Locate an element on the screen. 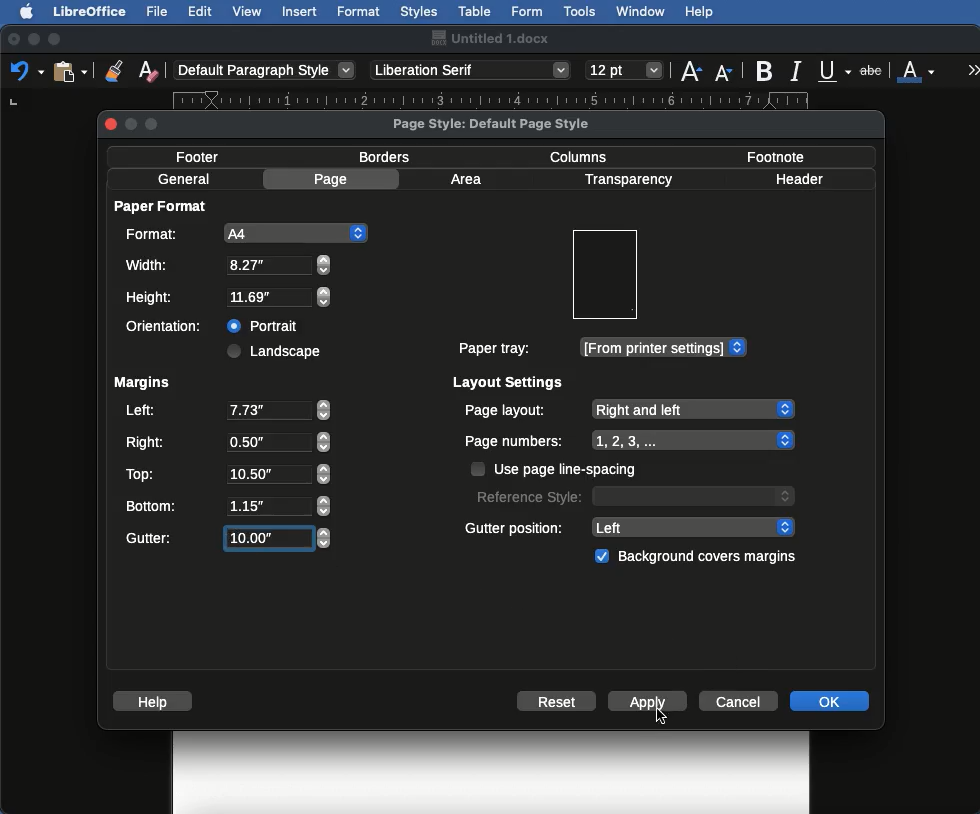 Image resolution: width=980 pixels, height=814 pixels. Cancel is located at coordinates (741, 700).